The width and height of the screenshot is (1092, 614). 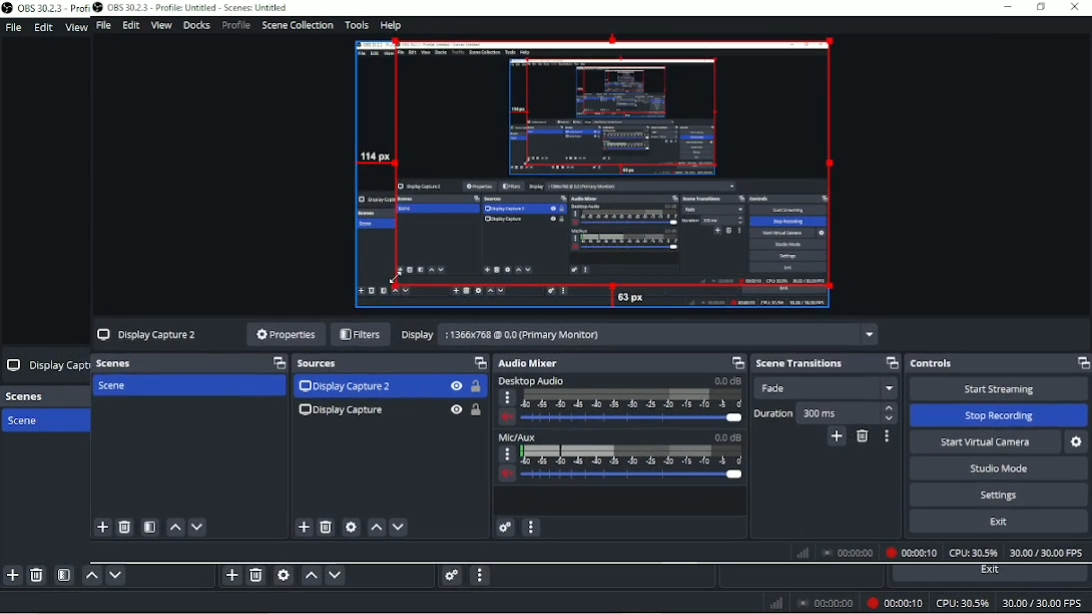 I want to click on Display 1366x768 @ 0.0 (Primary Moniton), so click(x=637, y=334).